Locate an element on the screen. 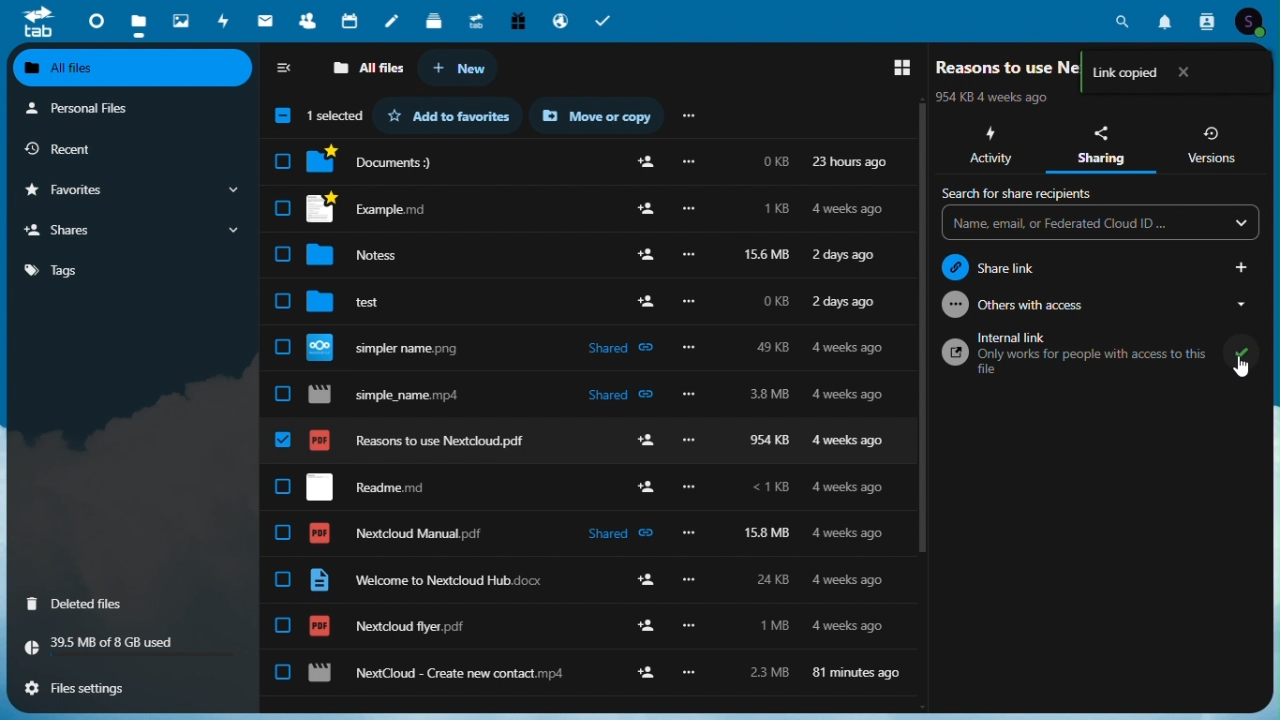 The image size is (1280, 720). simple_name.mp4 is located at coordinates (392, 395).